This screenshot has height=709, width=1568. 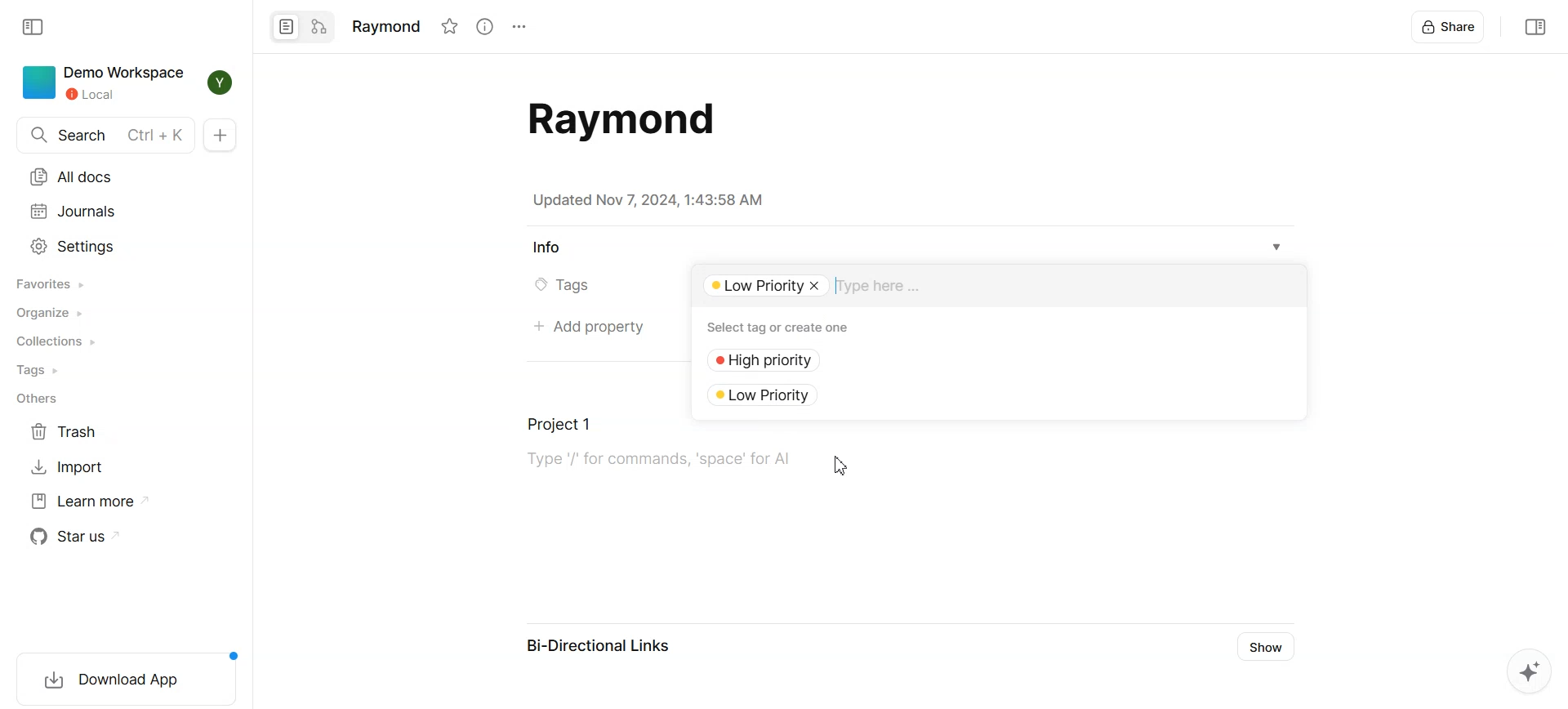 I want to click on Delete tag, so click(x=817, y=286).